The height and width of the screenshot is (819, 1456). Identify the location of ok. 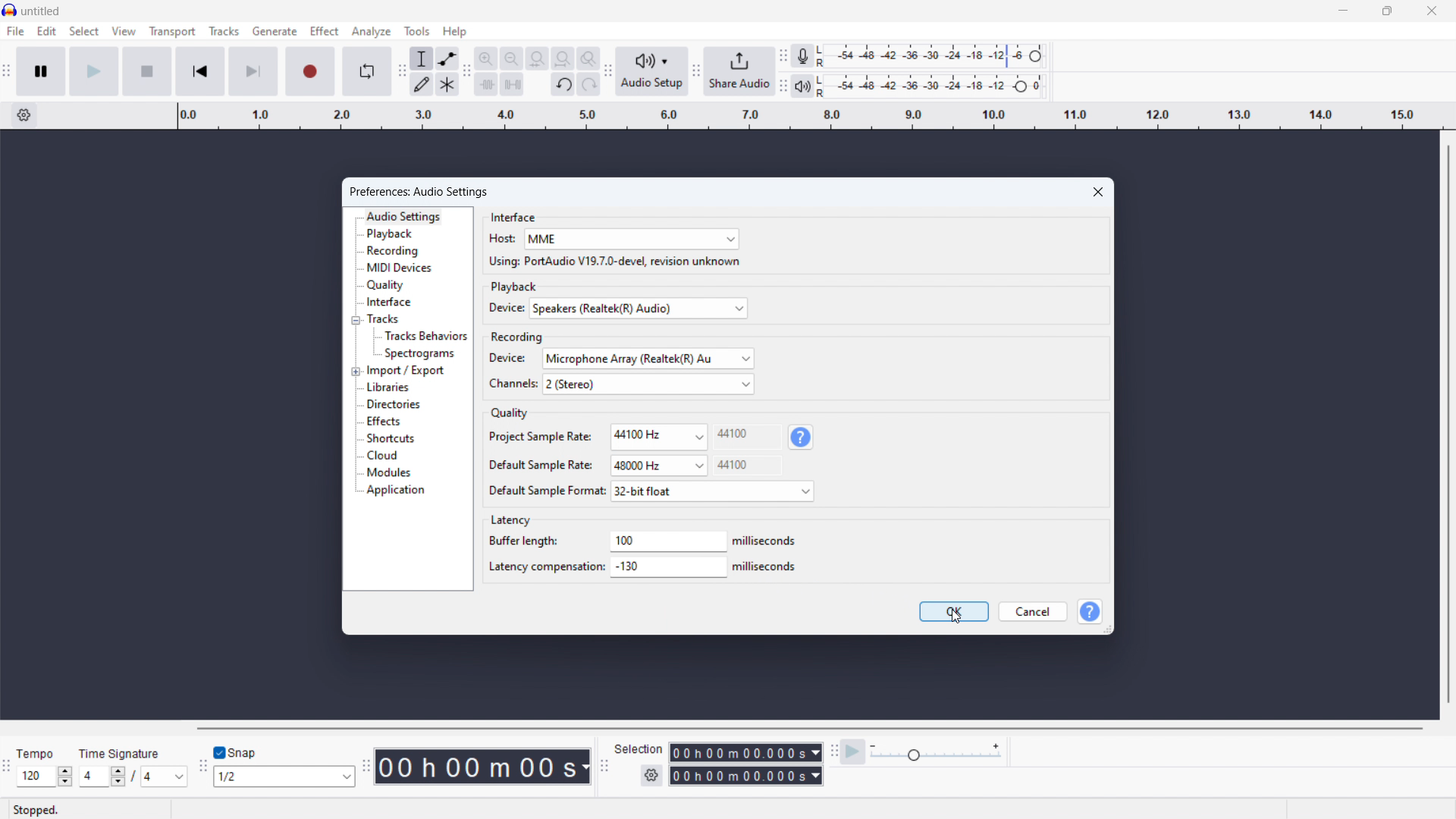
(955, 611).